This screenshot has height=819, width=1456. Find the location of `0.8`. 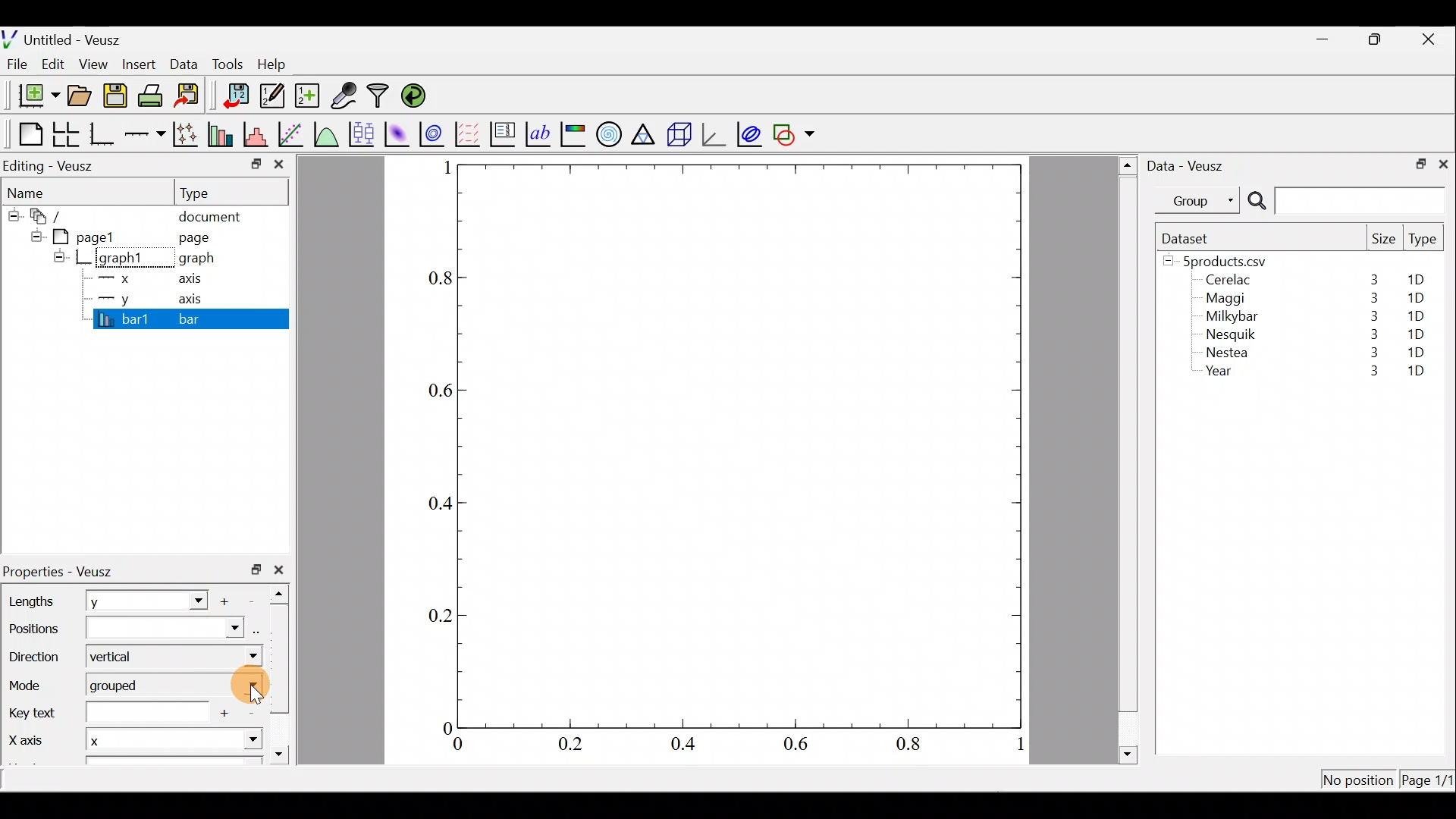

0.8 is located at coordinates (912, 745).